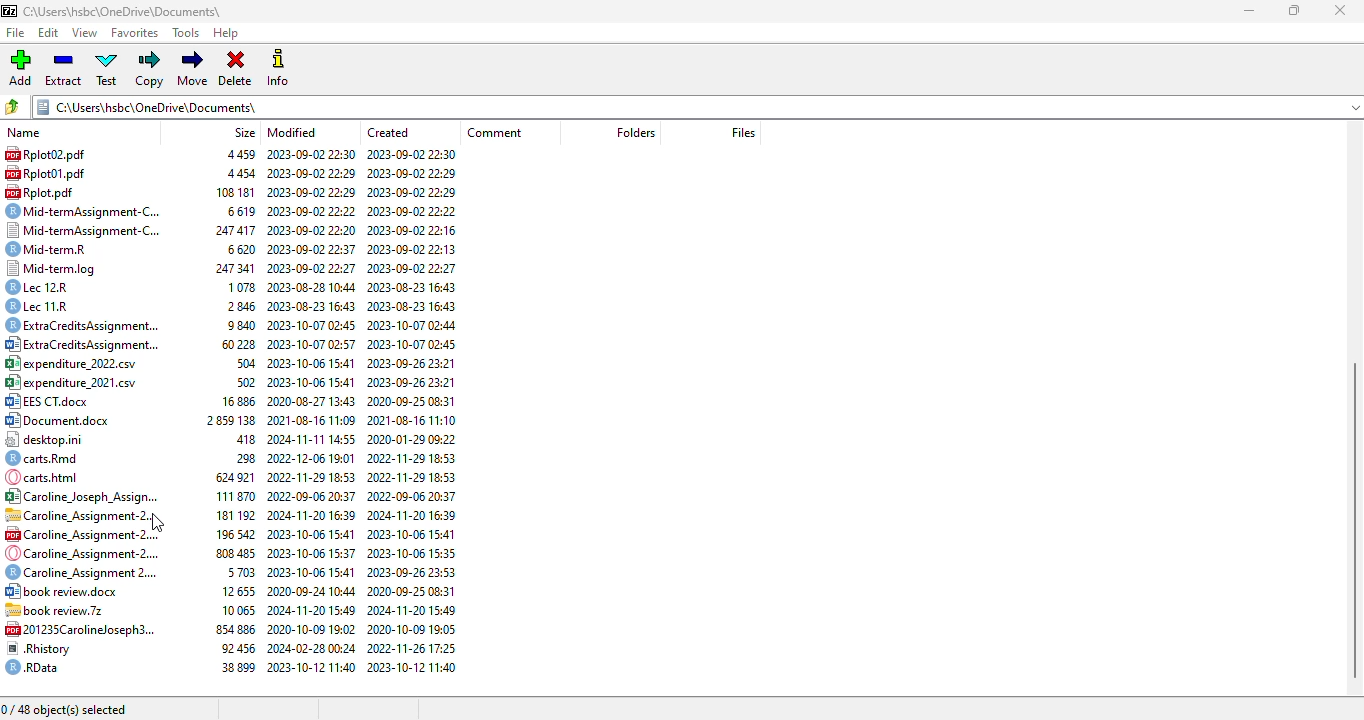 The width and height of the screenshot is (1364, 720). What do you see at coordinates (311, 247) in the screenshot?
I see `2023-09-02 22:37` at bounding box center [311, 247].